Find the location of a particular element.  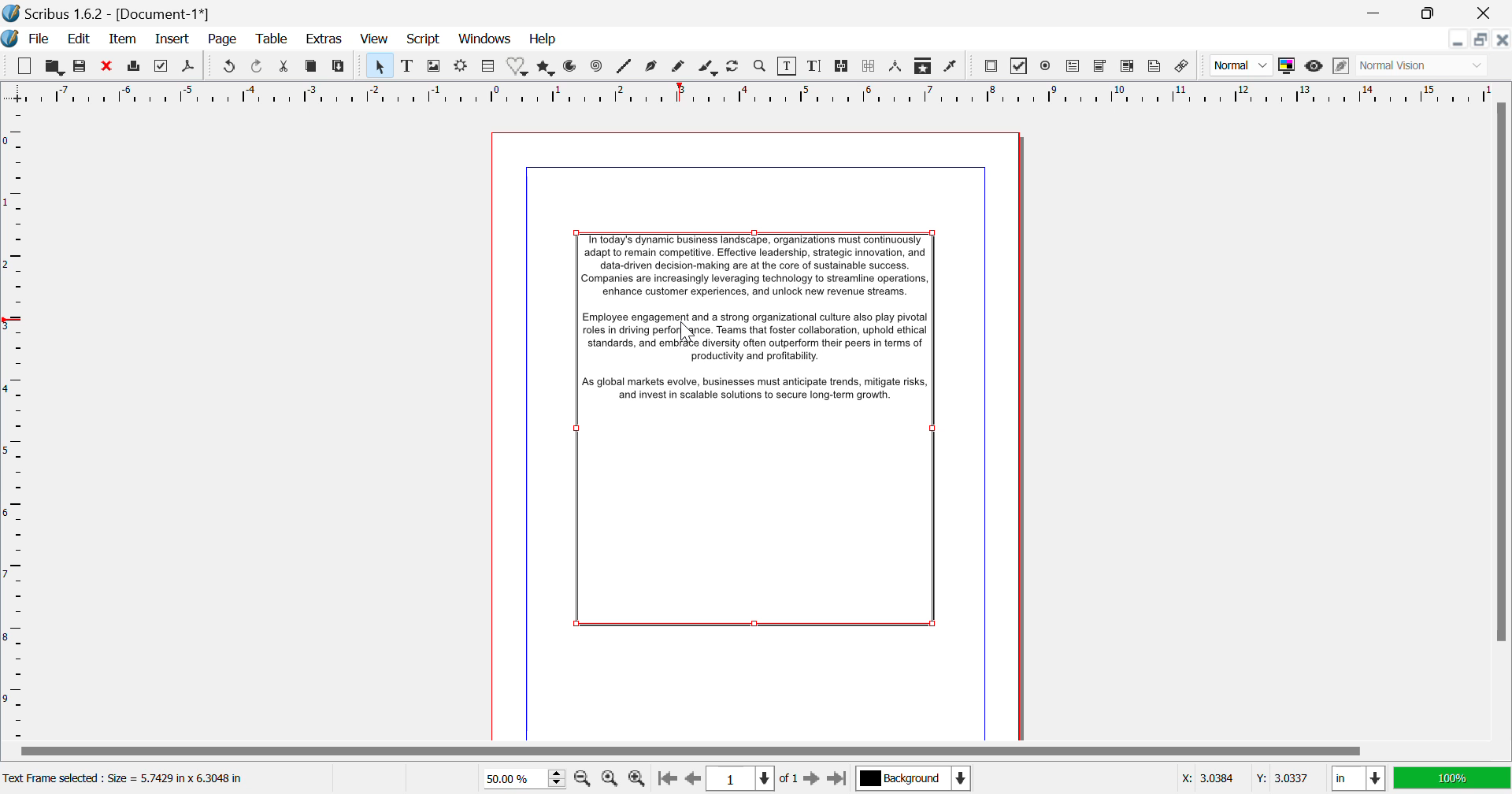

Text Frame Selected is located at coordinates (769, 439).